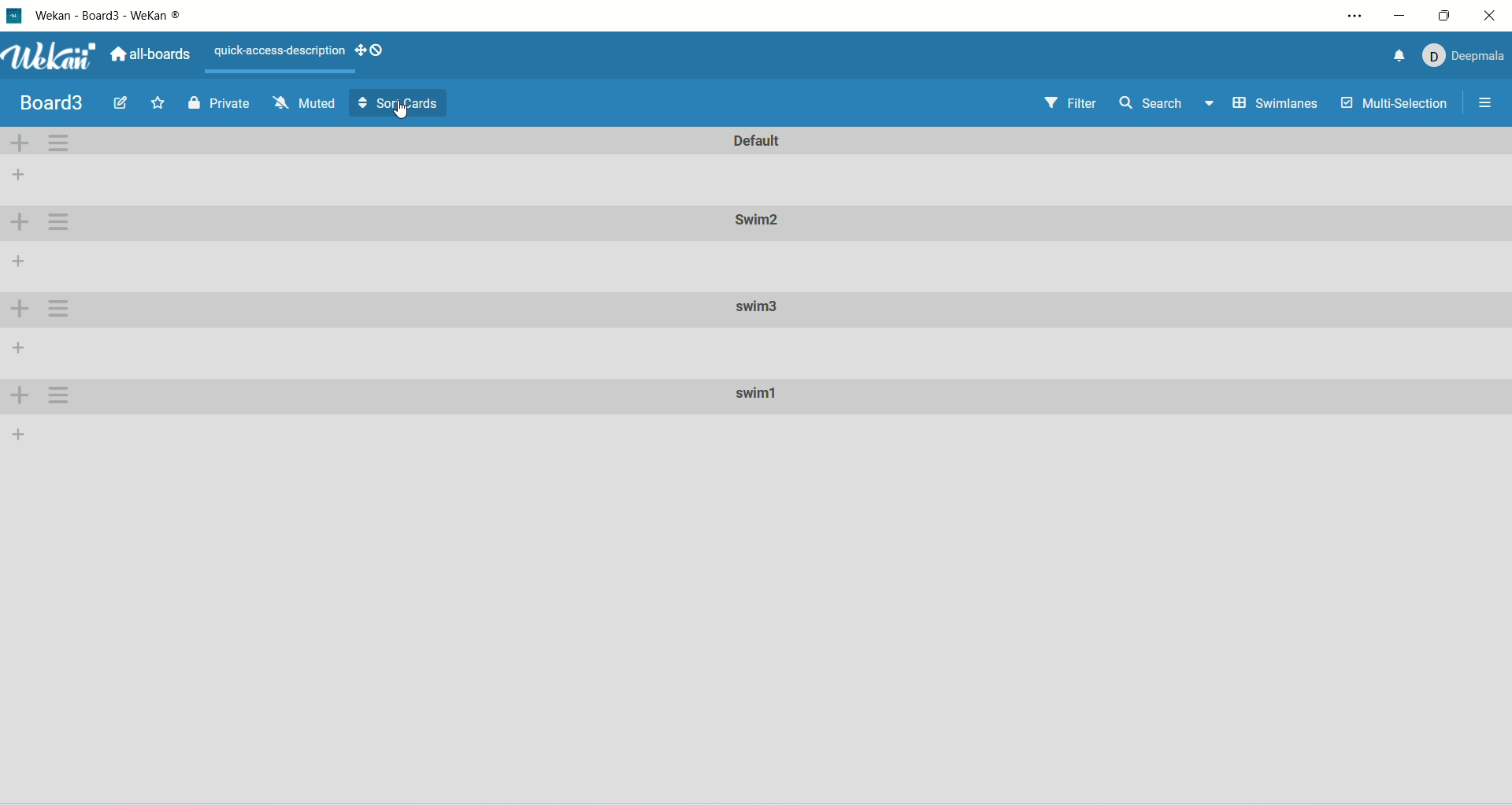 This screenshot has width=1512, height=805. Describe the element at coordinates (220, 102) in the screenshot. I see `private` at that location.